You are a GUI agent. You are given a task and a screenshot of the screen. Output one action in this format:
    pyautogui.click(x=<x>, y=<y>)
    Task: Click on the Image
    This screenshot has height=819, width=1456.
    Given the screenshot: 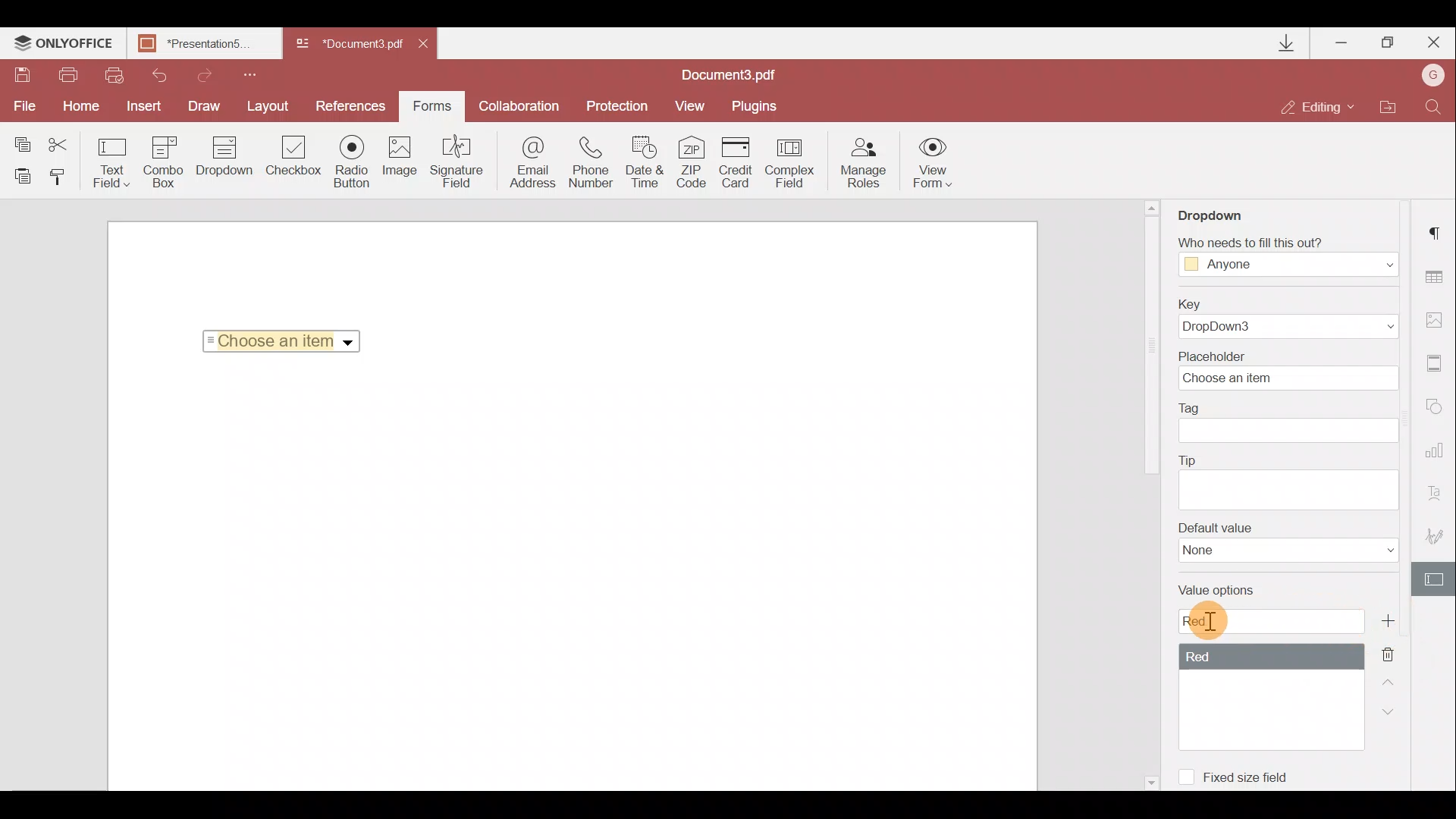 What is the action you would take?
    pyautogui.click(x=403, y=161)
    